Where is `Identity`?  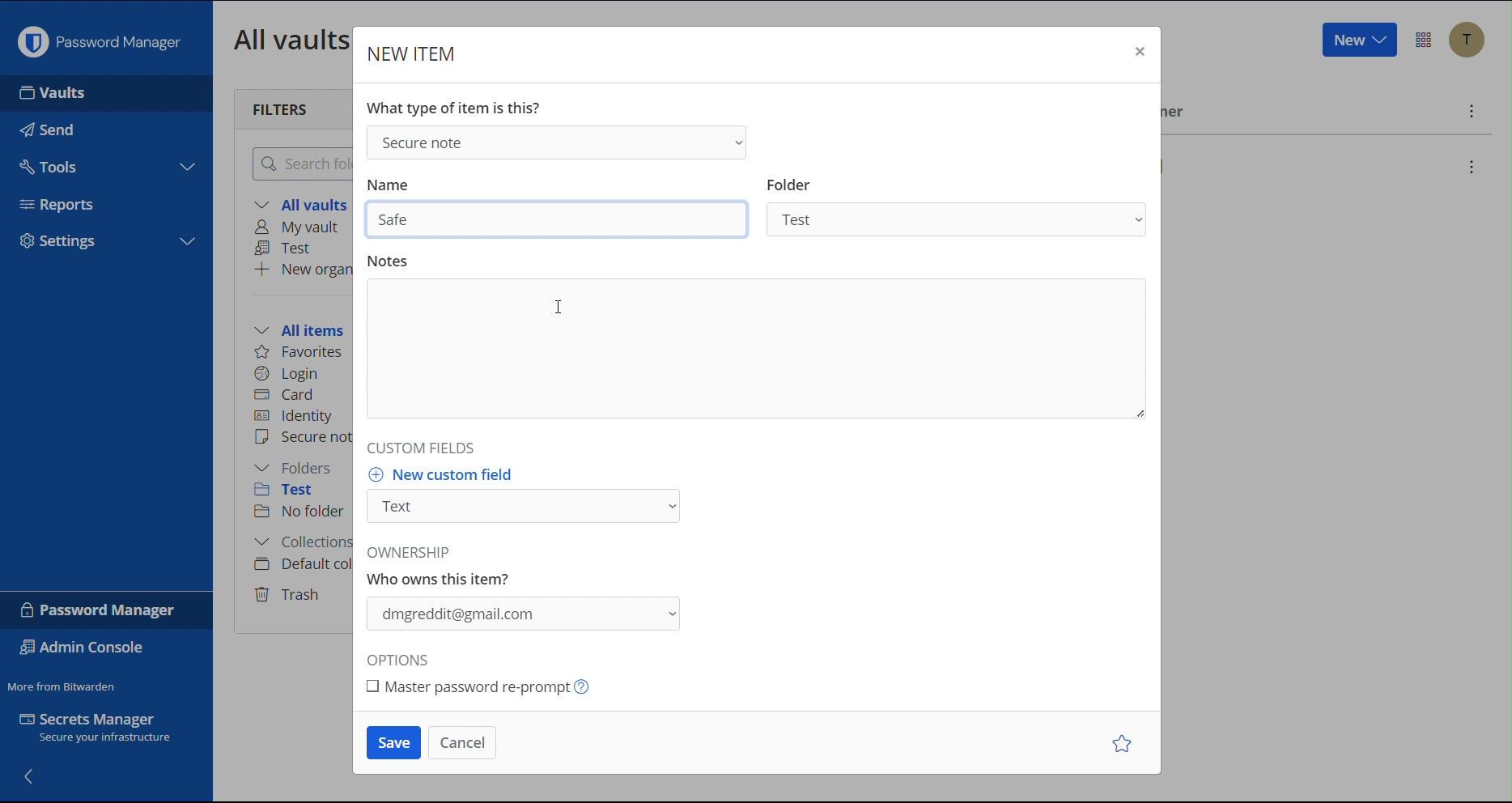 Identity is located at coordinates (295, 416).